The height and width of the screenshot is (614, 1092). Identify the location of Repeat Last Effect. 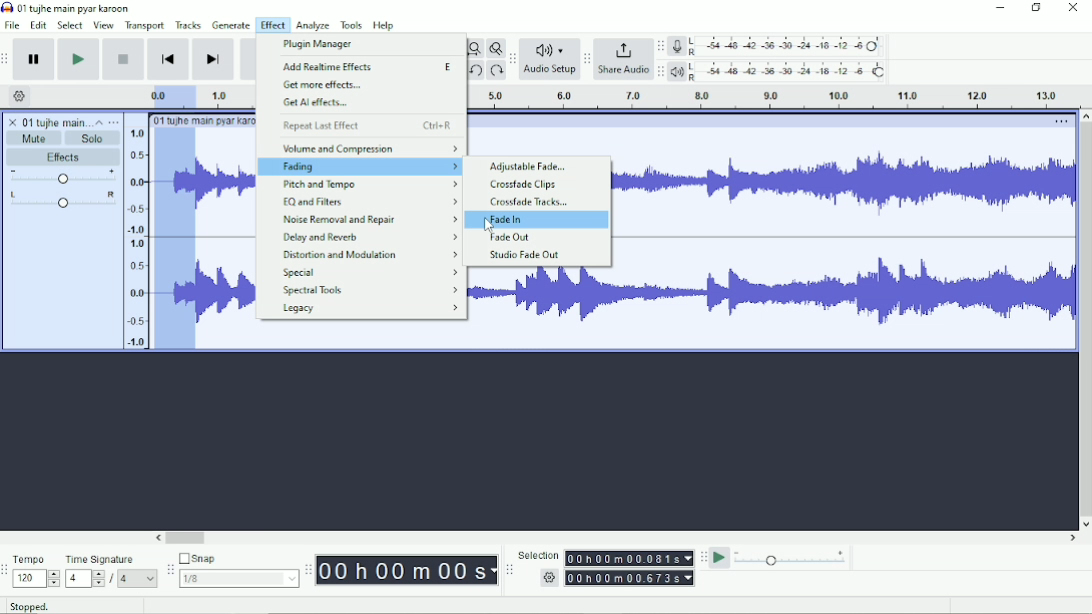
(367, 126).